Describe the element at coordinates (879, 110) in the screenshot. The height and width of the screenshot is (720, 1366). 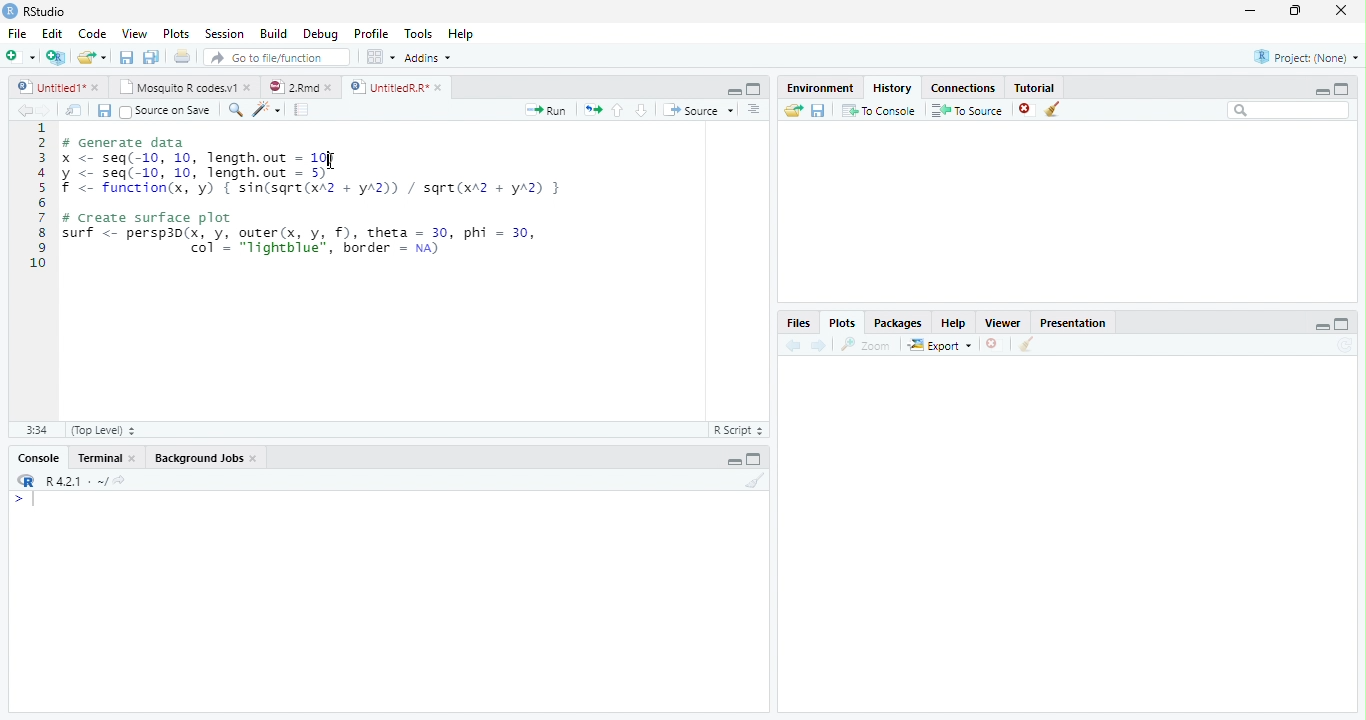
I see `To Console` at that location.